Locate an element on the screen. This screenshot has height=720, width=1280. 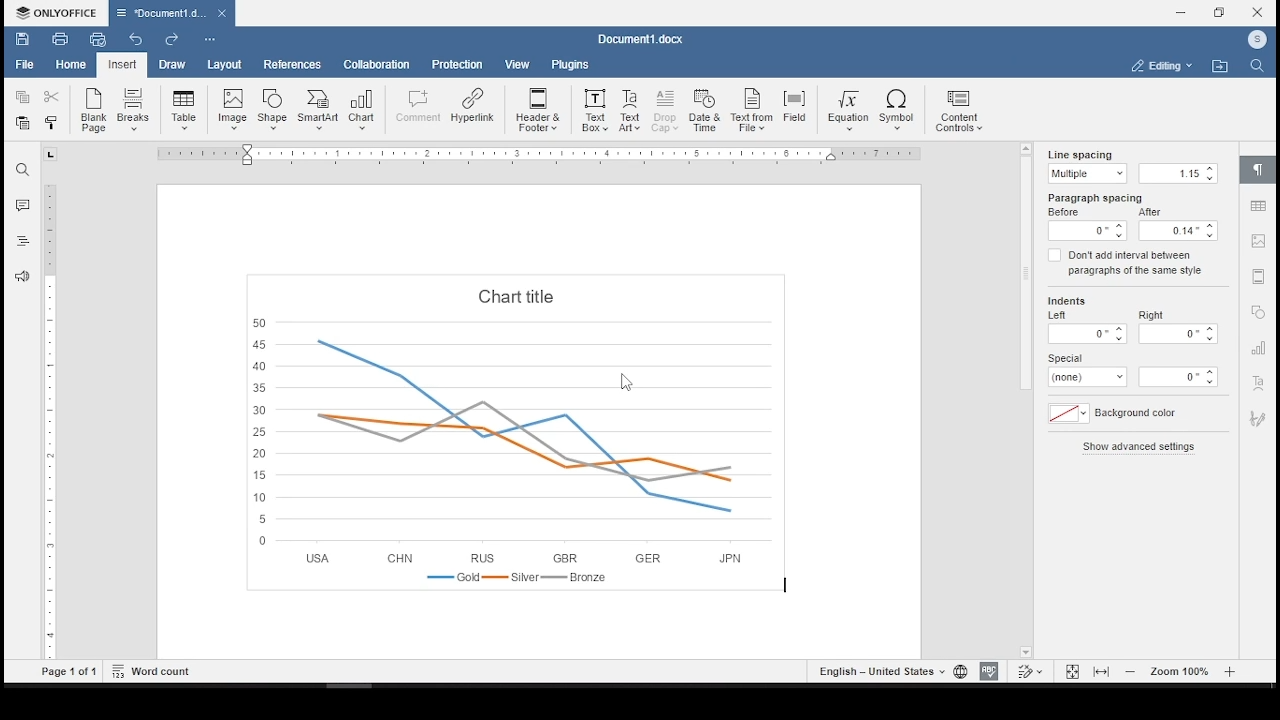
fit to width is located at coordinates (1104, 670).